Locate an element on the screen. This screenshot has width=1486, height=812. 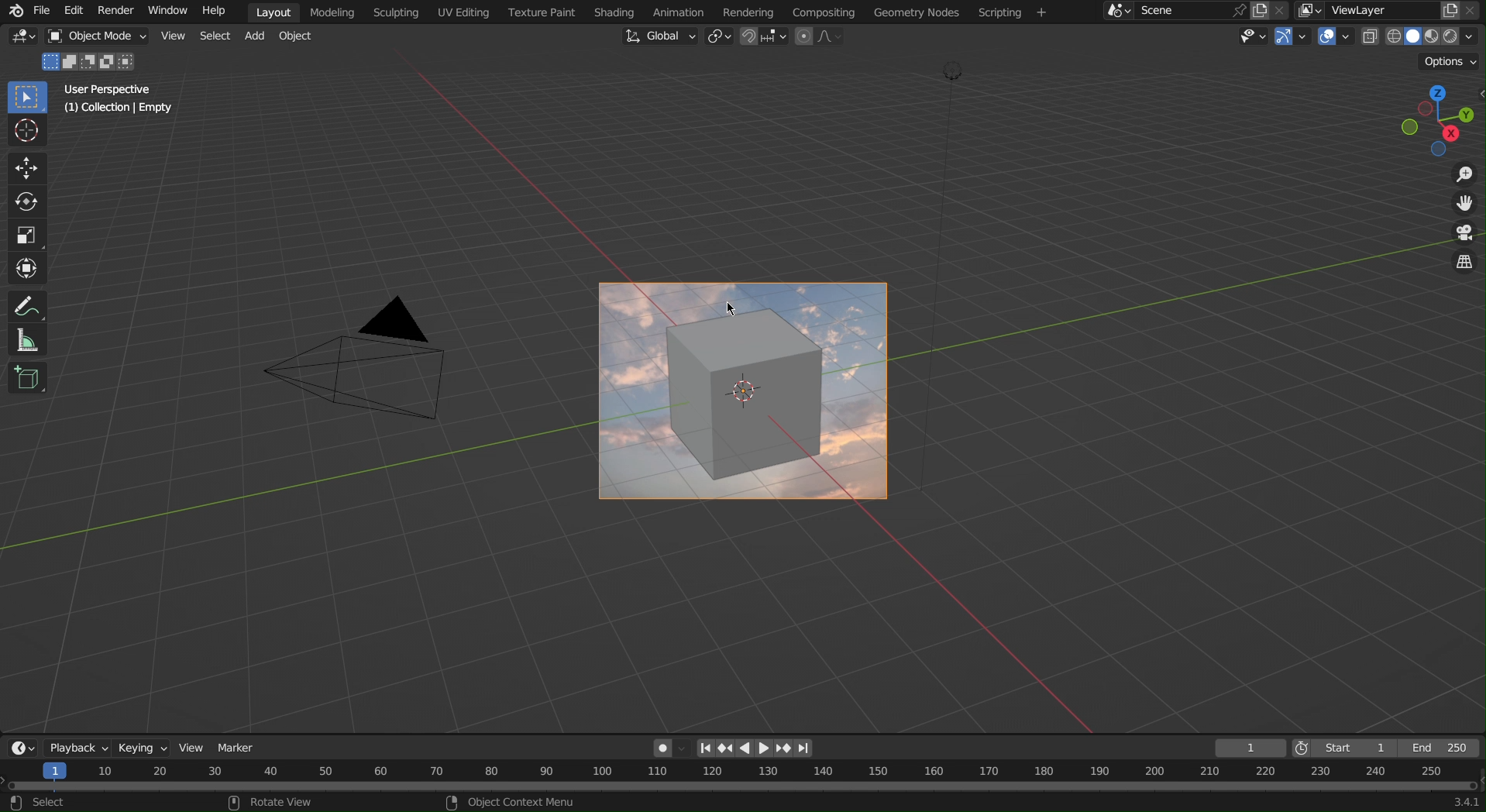
Modeling is located at coordinates (335, 12).